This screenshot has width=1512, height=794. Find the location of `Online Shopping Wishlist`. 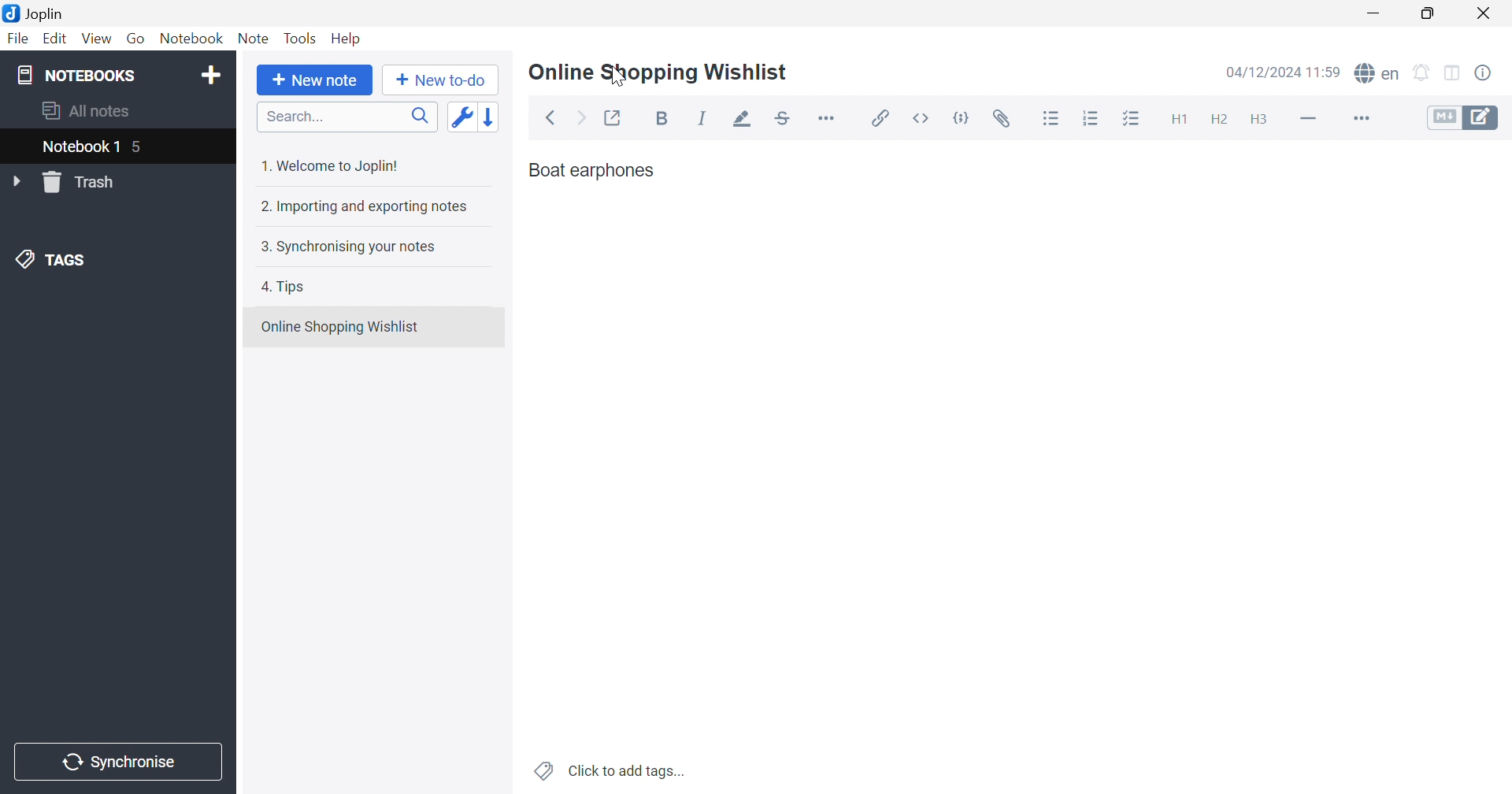

Online Shopping Wishlist is located at coordinates (658, 73).